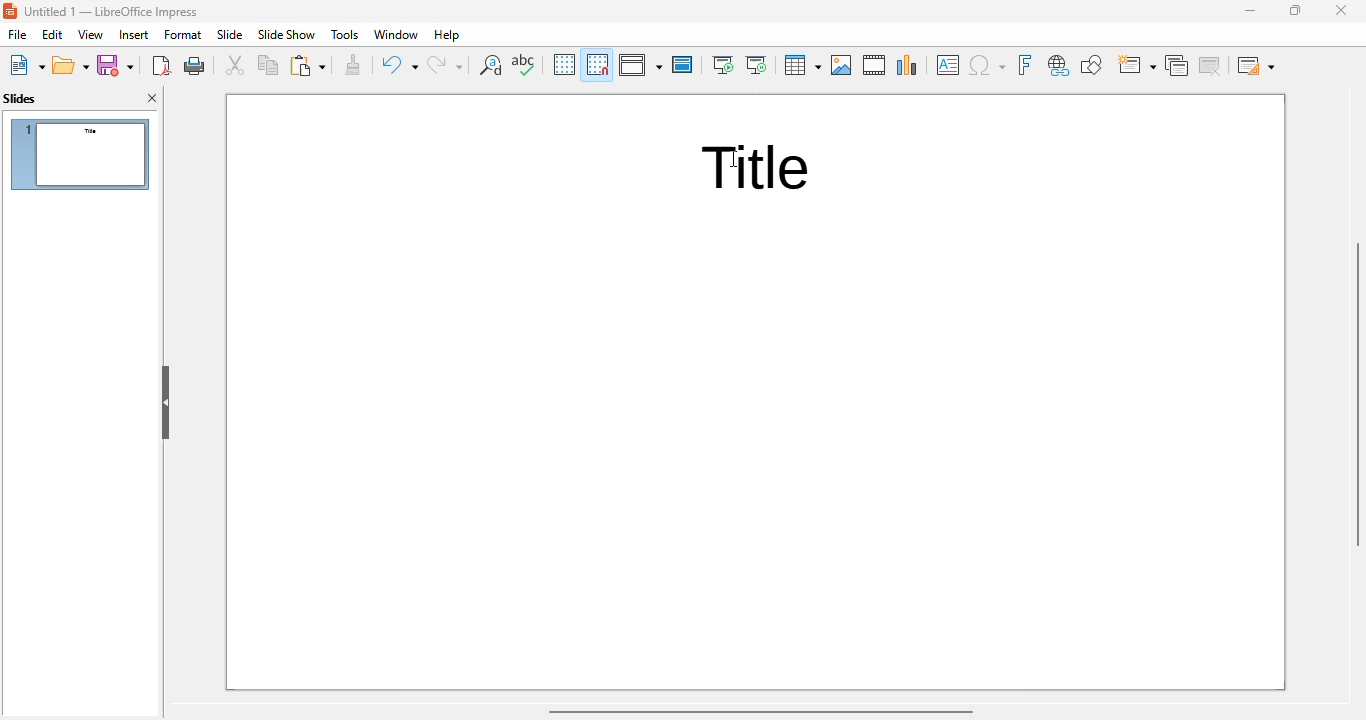 The image size is (1366, 720). I want to click on help, so click(447, 34).